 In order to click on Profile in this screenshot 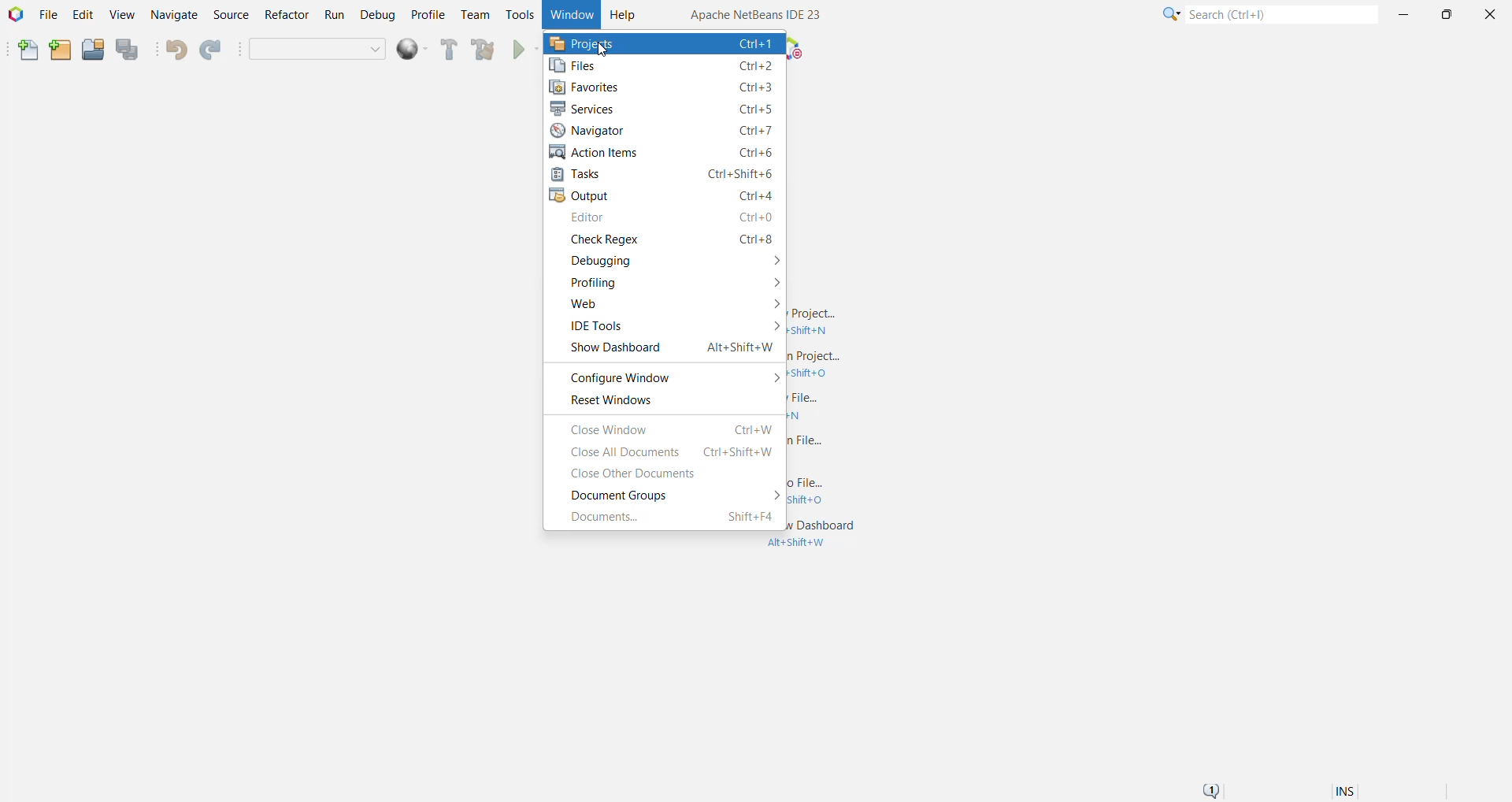, I will do `click(428, 17)`.